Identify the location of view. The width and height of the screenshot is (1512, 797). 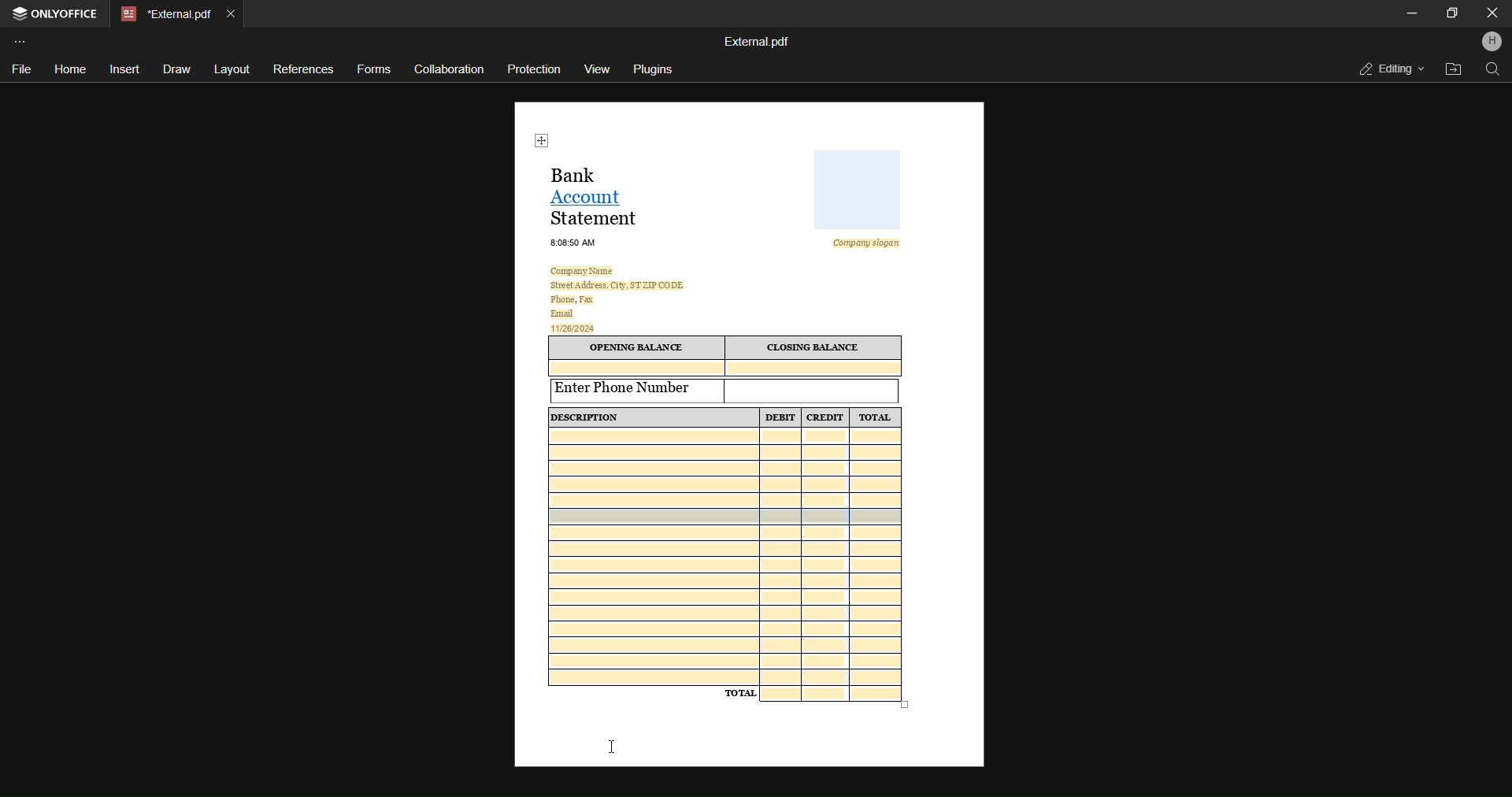
(600, 69).